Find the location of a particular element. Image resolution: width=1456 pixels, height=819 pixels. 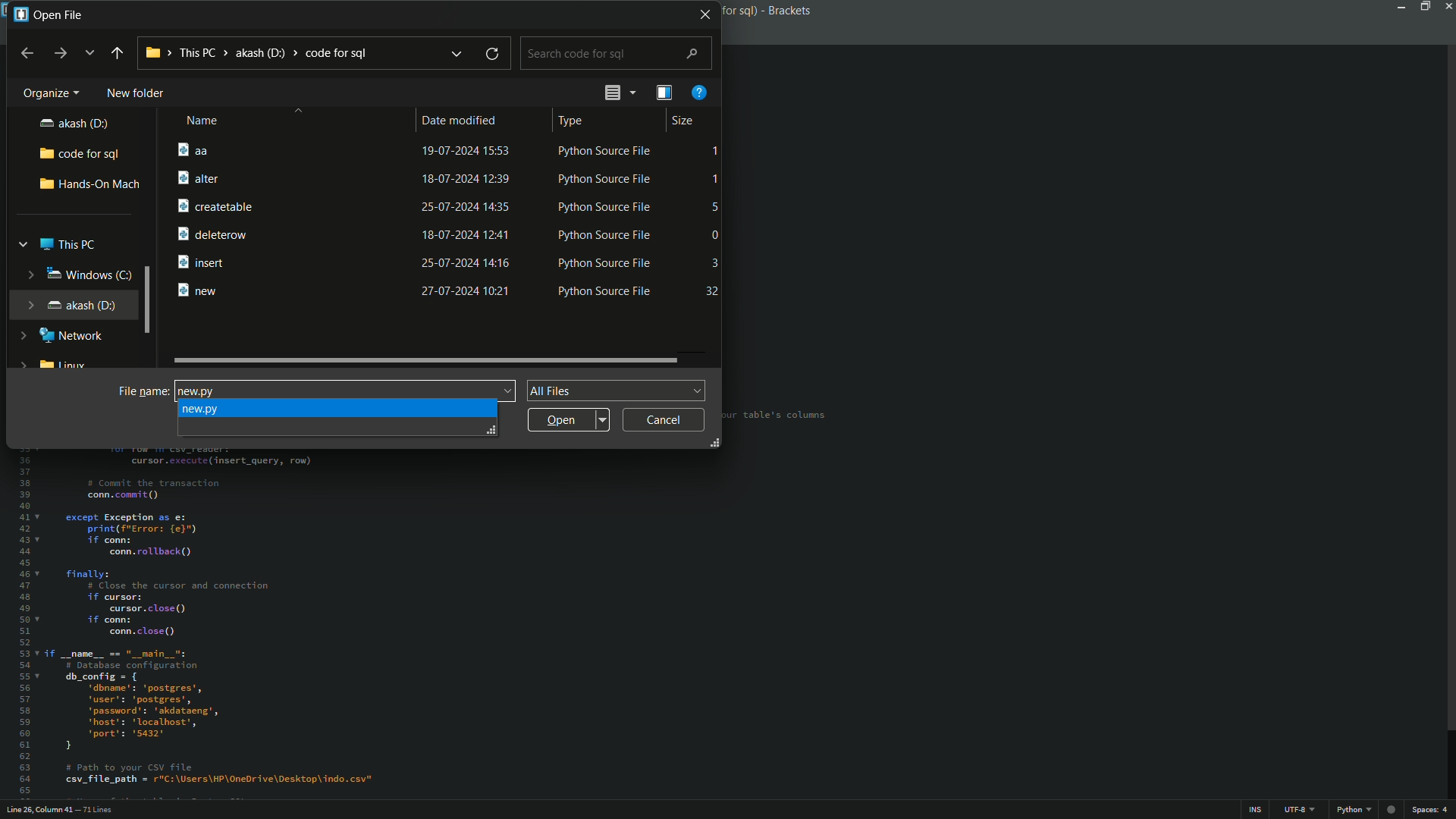

line numbers is located at coordinates (20, 626).